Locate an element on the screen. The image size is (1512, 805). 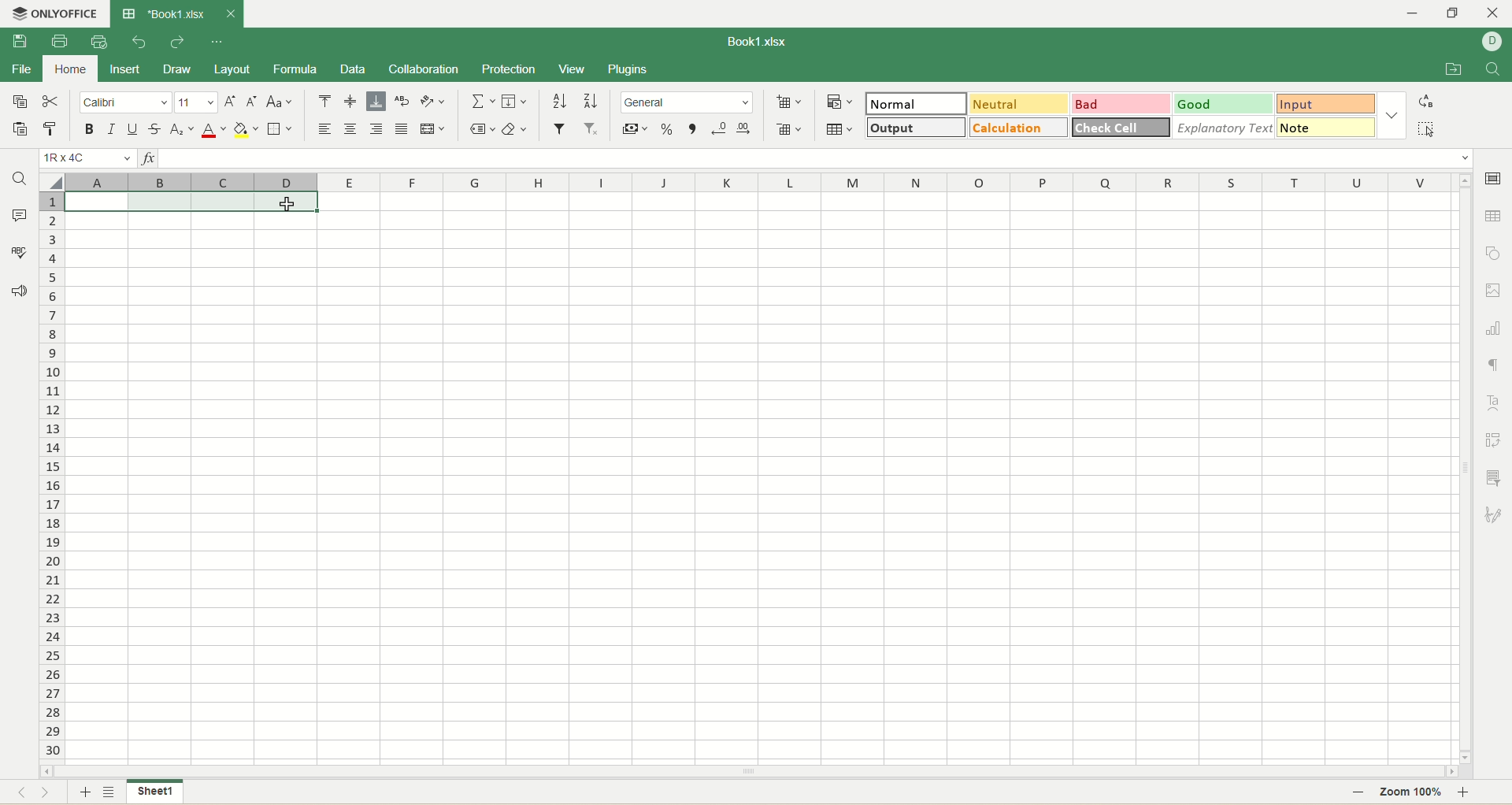
close is located at coordinates (1495, 12).